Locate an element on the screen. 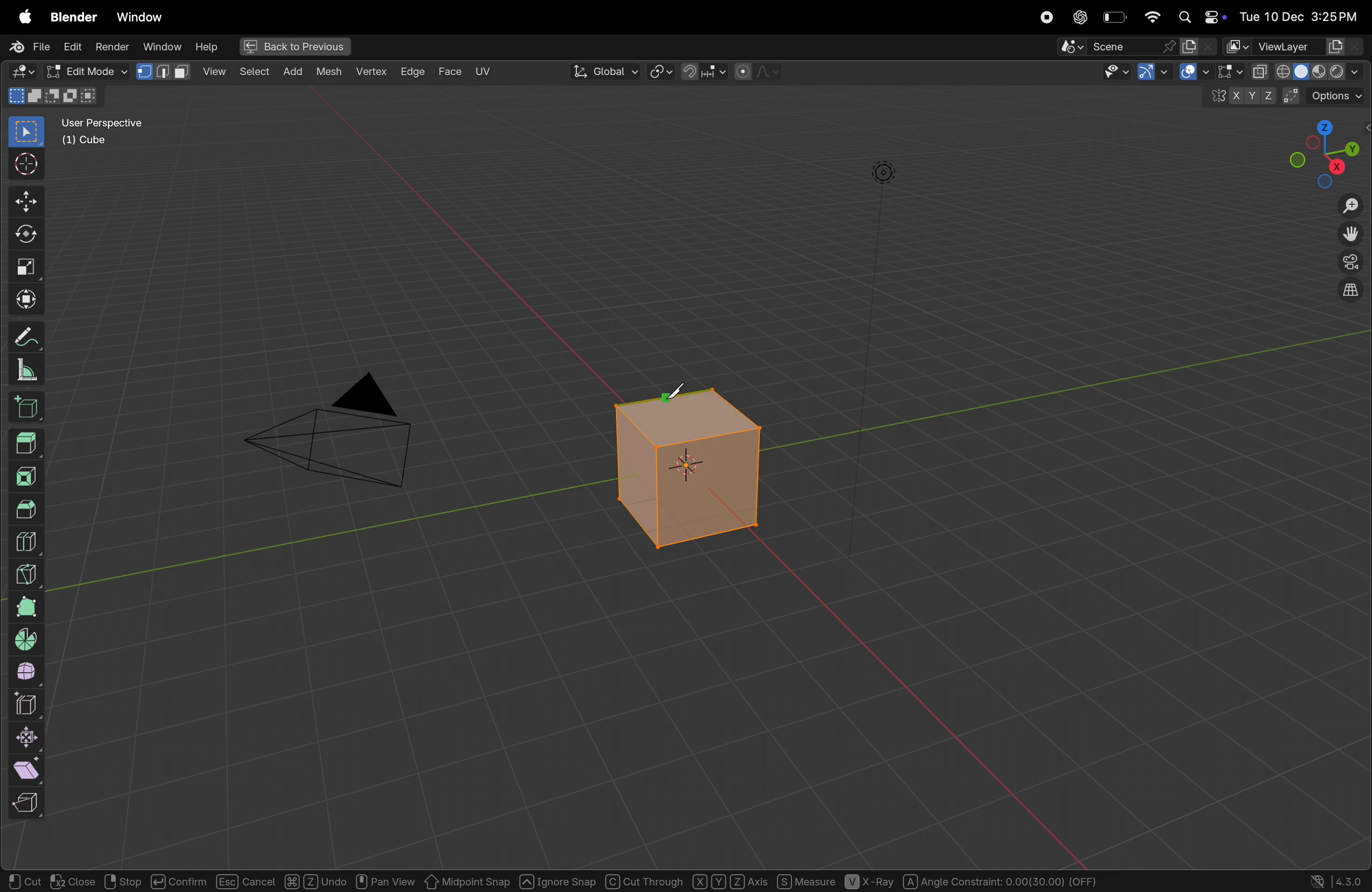 This screenshot has width=1372, height=892. Global is located at coordinates (606, 71).